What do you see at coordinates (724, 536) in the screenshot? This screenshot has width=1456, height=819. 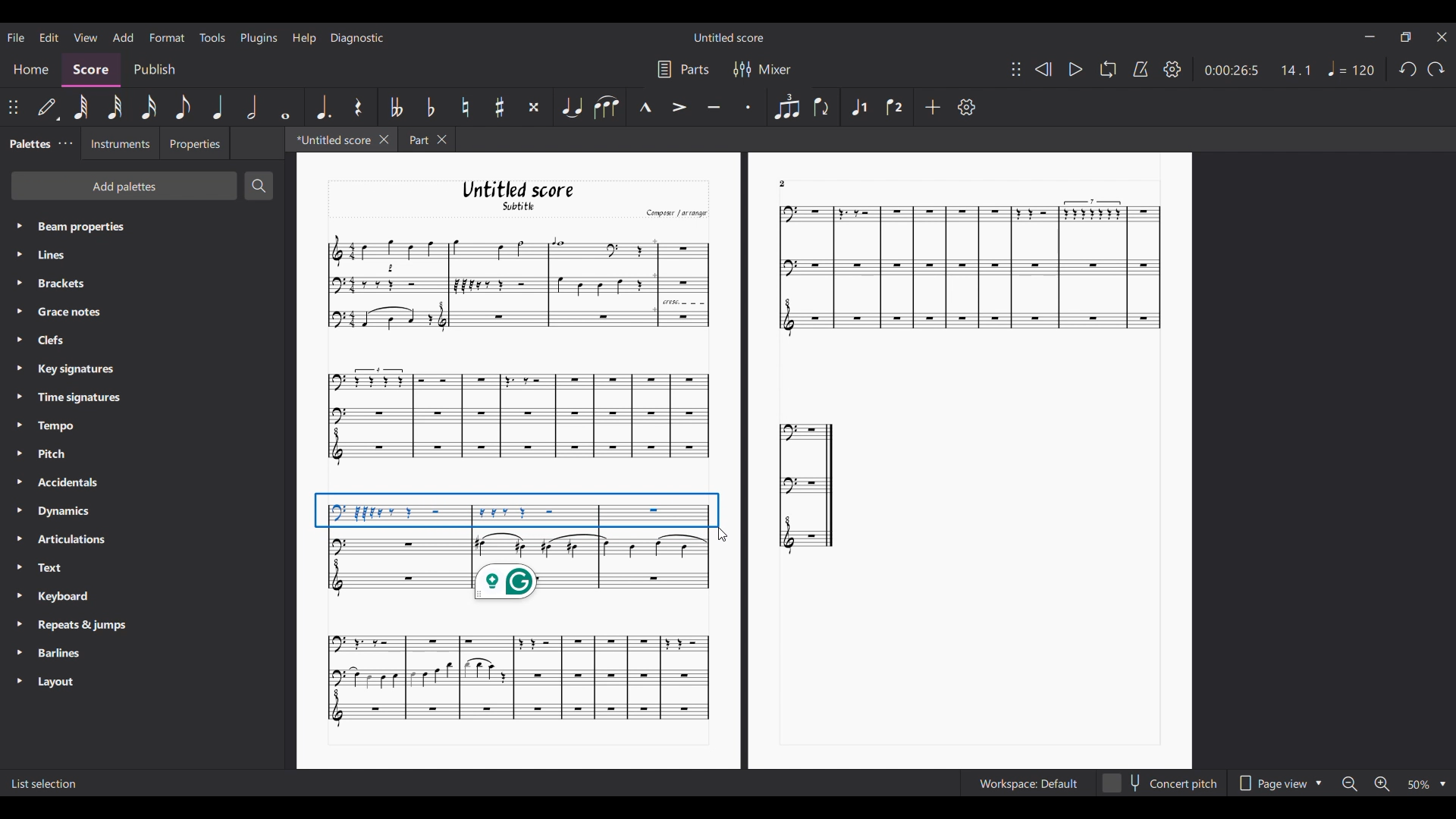 I see `cursor` at bounding box center [724, 536].